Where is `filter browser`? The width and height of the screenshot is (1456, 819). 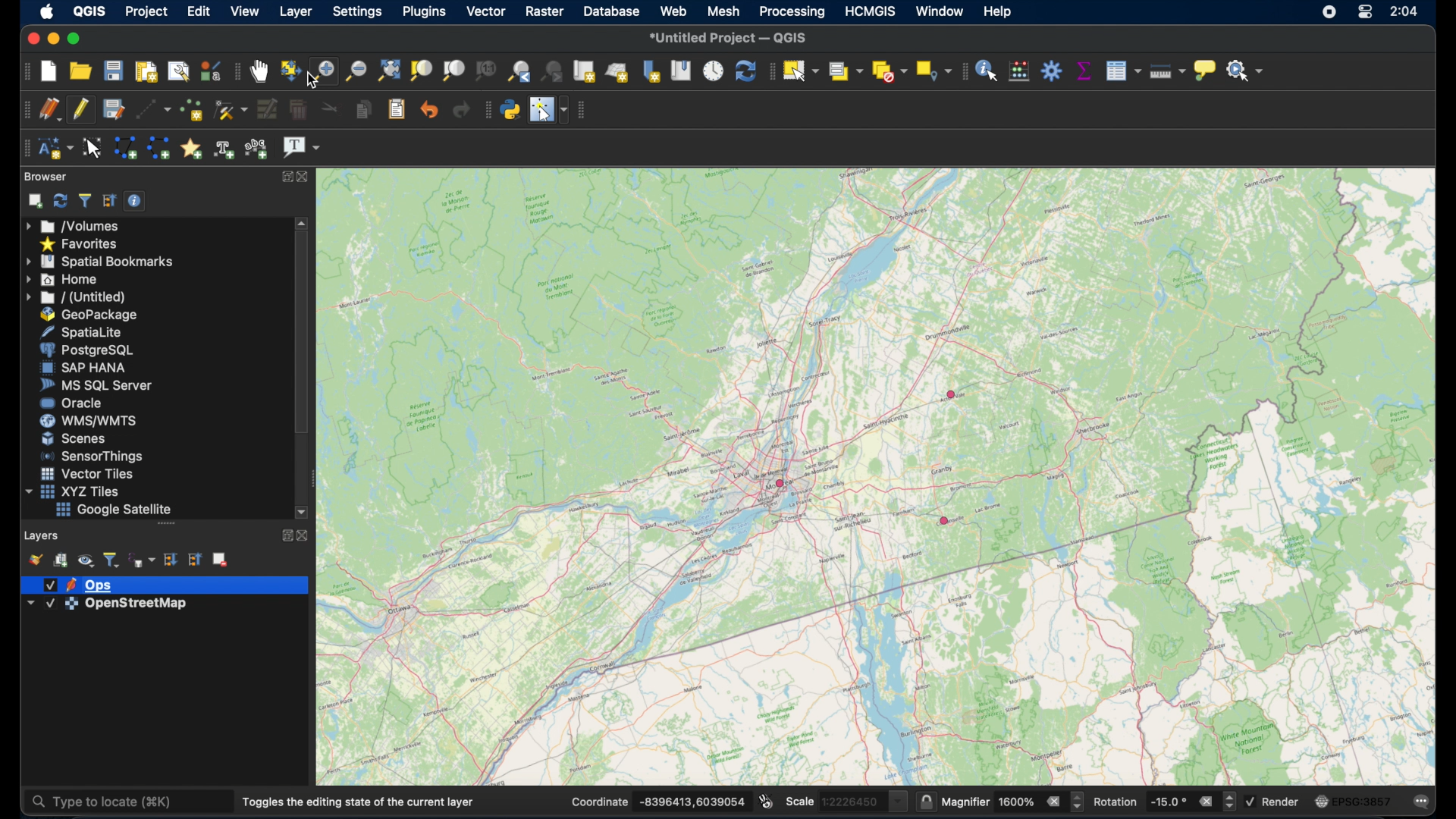 filter browser is located at coordinates (86, 199).